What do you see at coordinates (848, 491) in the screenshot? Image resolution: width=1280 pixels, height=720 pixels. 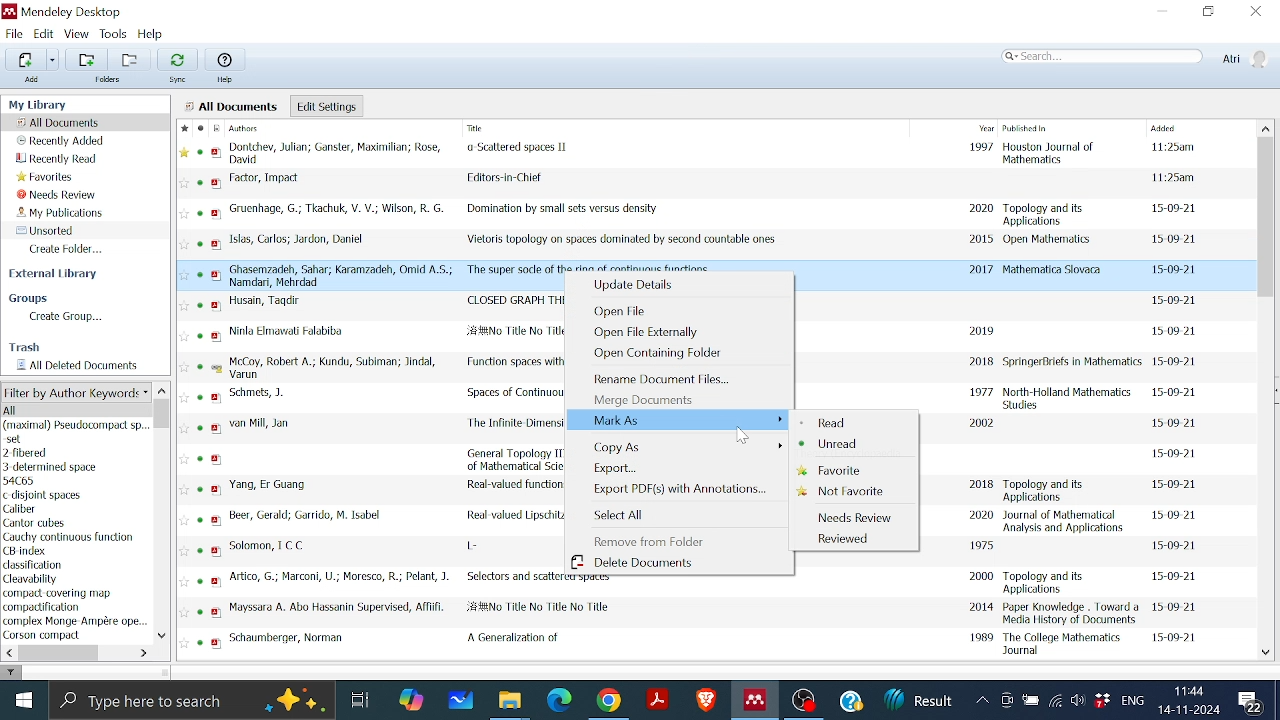 I see `Not favorite` at bounding box center [848, 491].